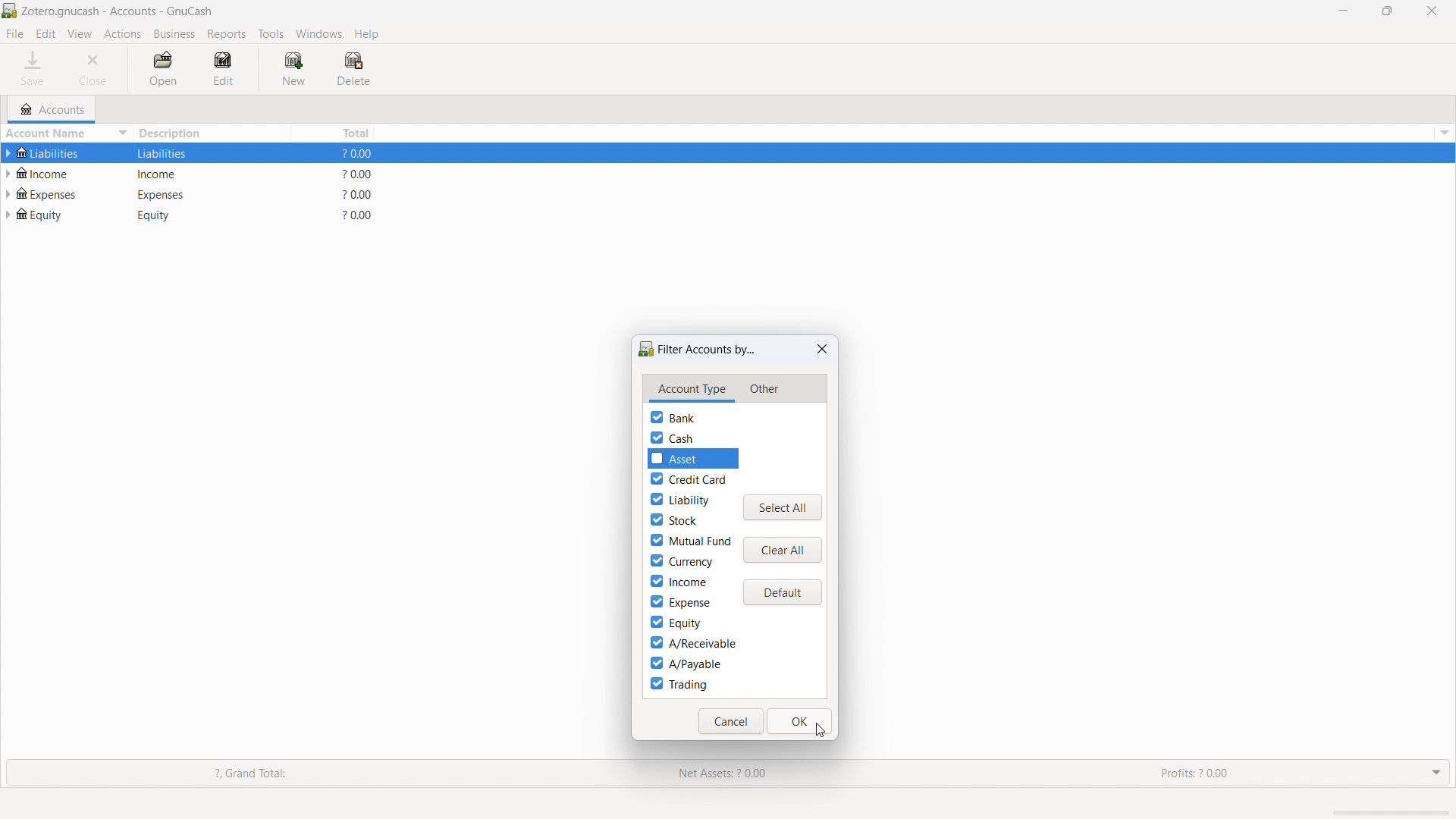 The image size is (1456, 819). Describe the element at coordinates (15, 33) in the screenshot. I see `file` at that location.